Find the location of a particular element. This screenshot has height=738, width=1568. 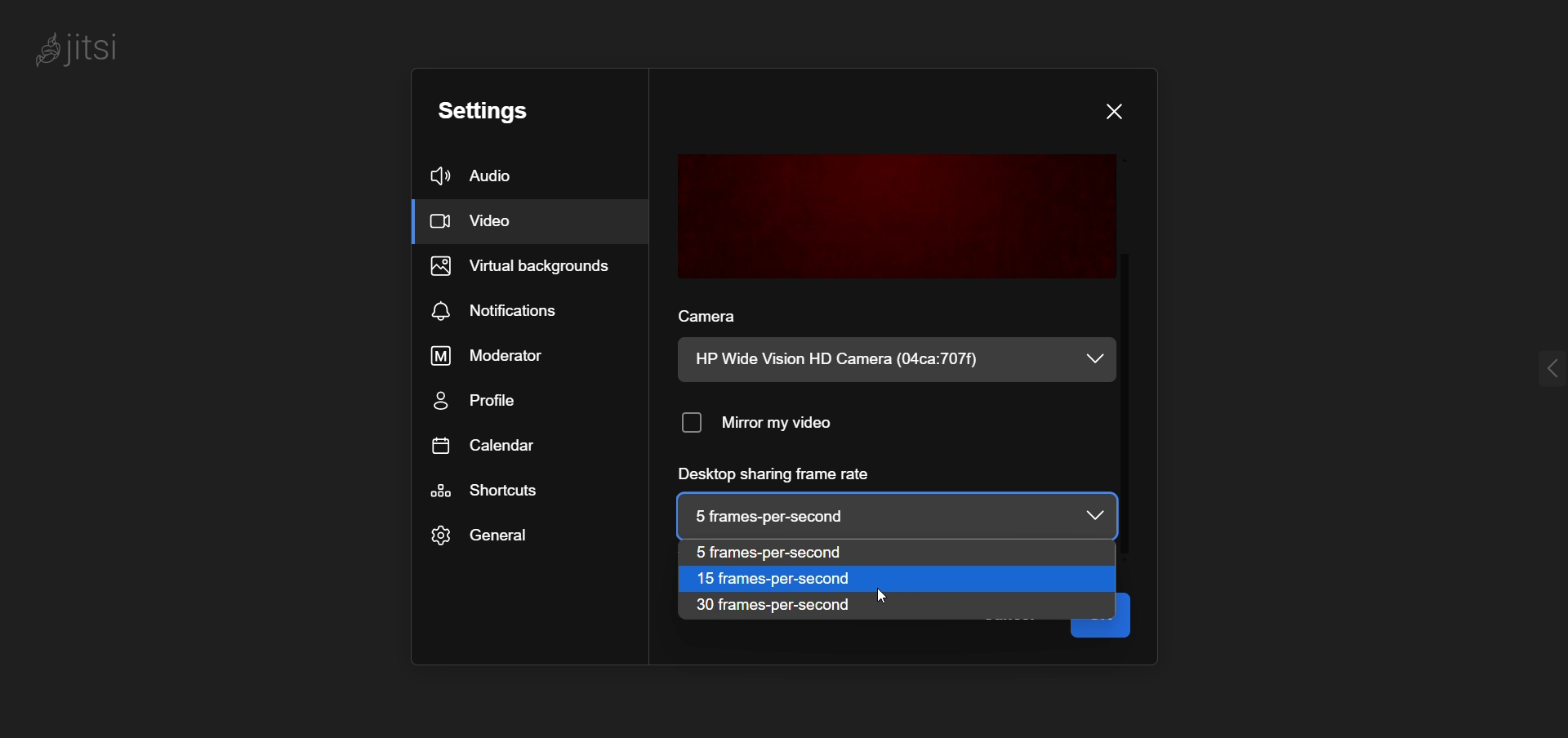

camera is located at coordinates (709, 312).